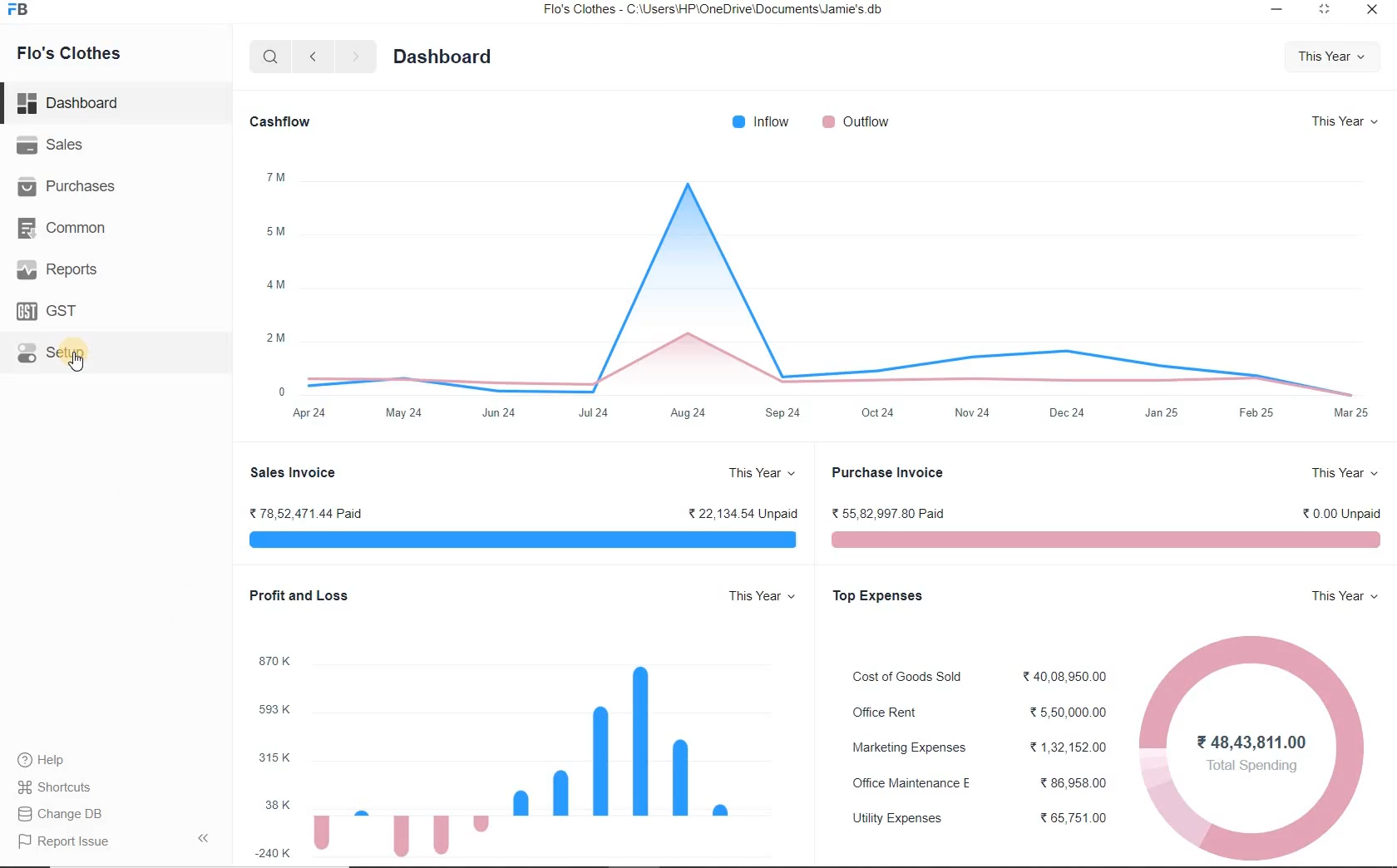 The height and width of the screenshot is (868, 1397). I want to click on Qutflow, so click(854, 120).